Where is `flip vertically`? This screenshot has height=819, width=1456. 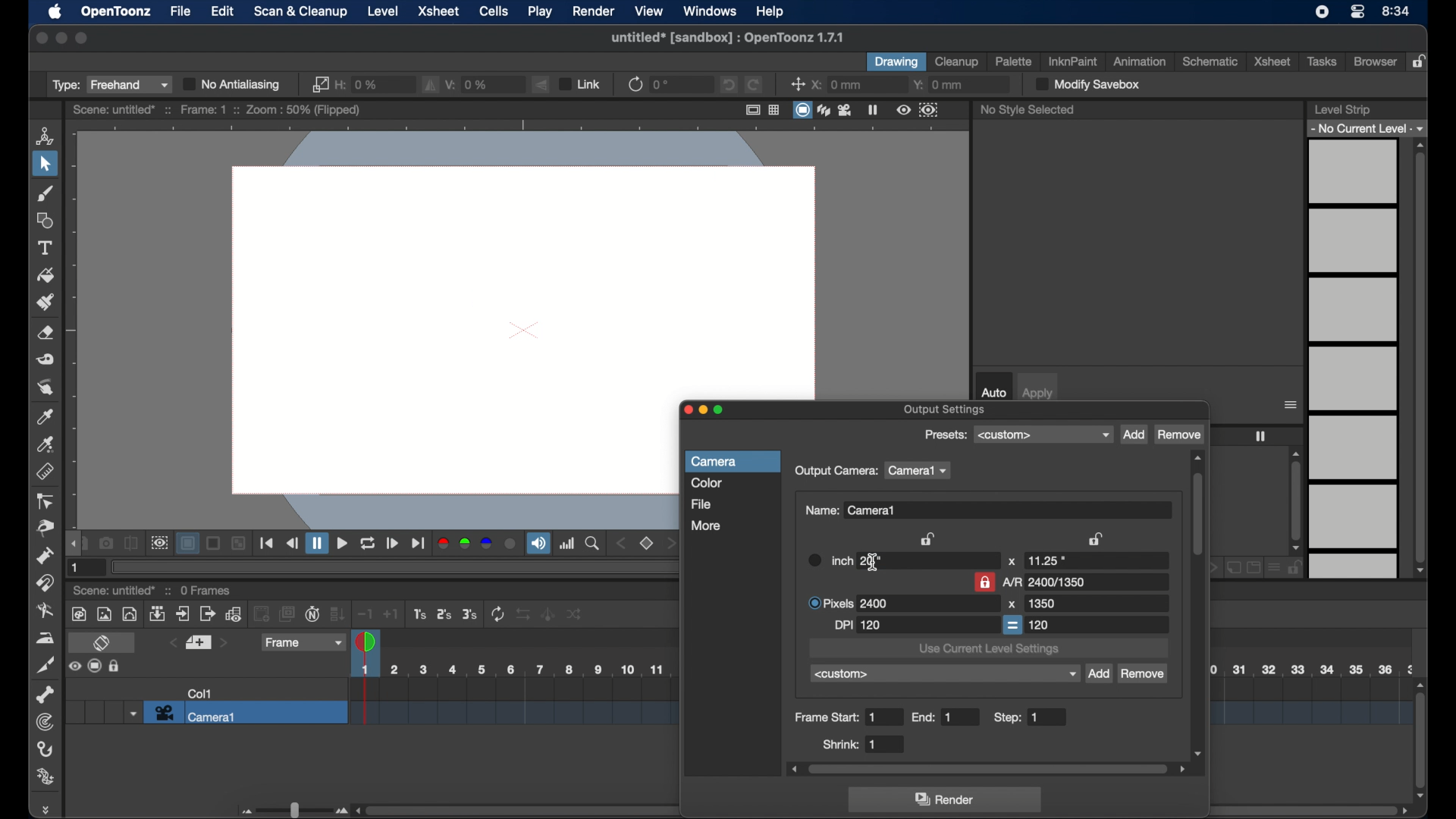
flip vertically is located at coordinates (542, 84).